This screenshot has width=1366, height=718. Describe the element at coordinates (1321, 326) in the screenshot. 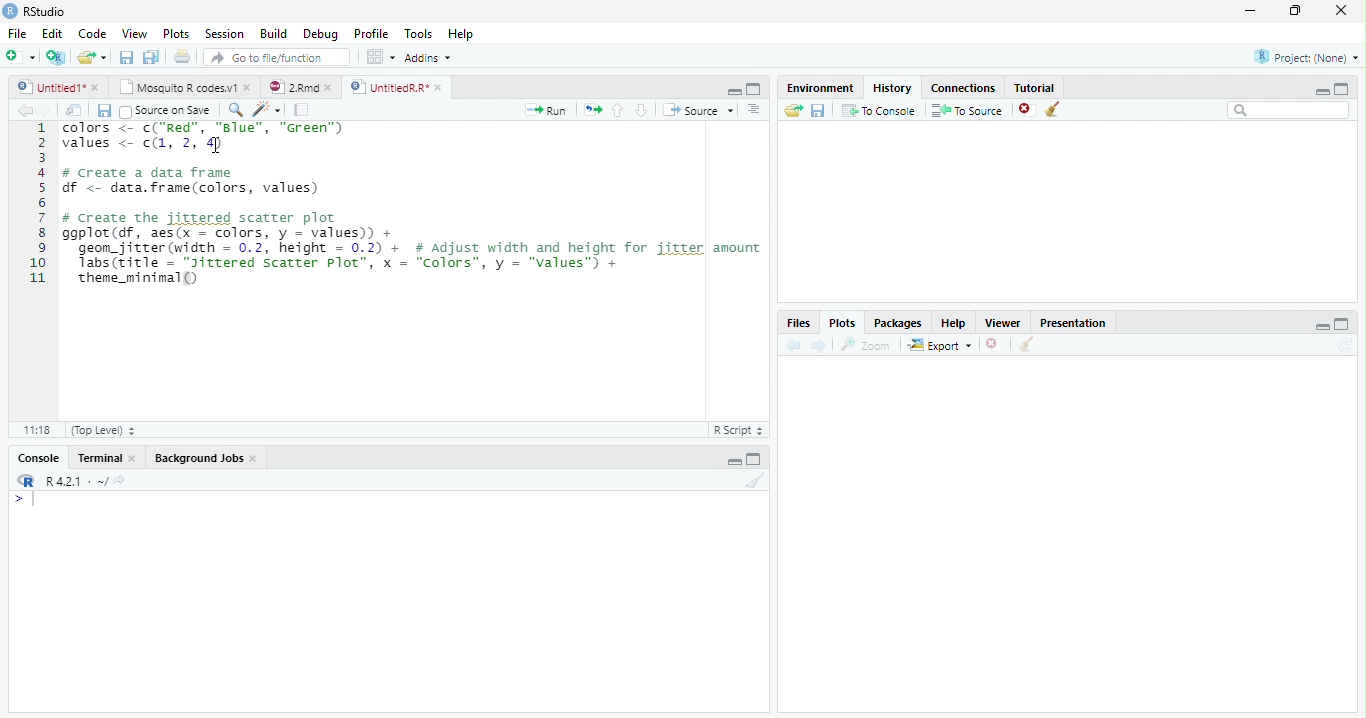

I see `Minimize` at that location.